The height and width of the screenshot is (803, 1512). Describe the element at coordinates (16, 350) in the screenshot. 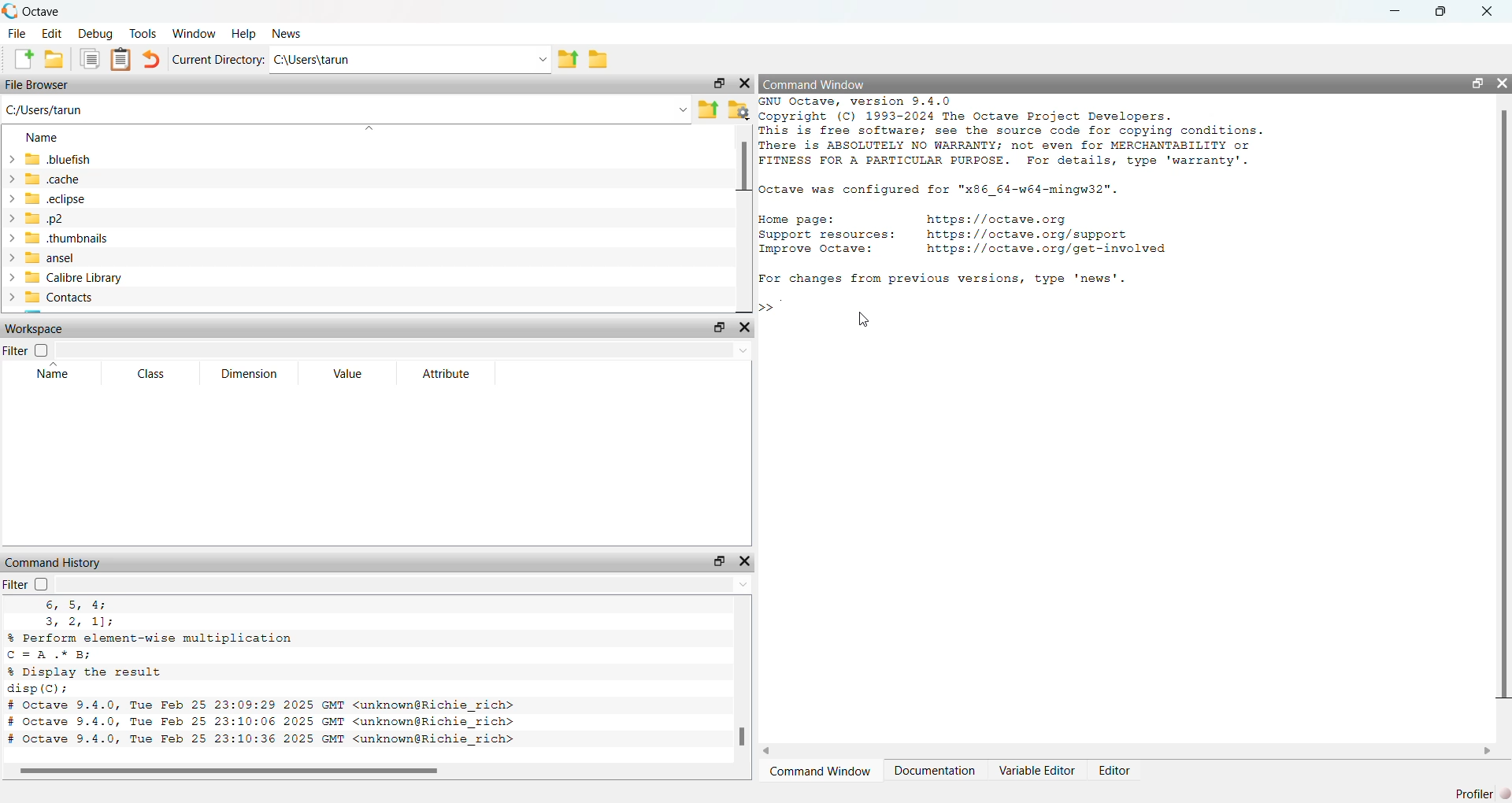

I see `Filter` at that location.